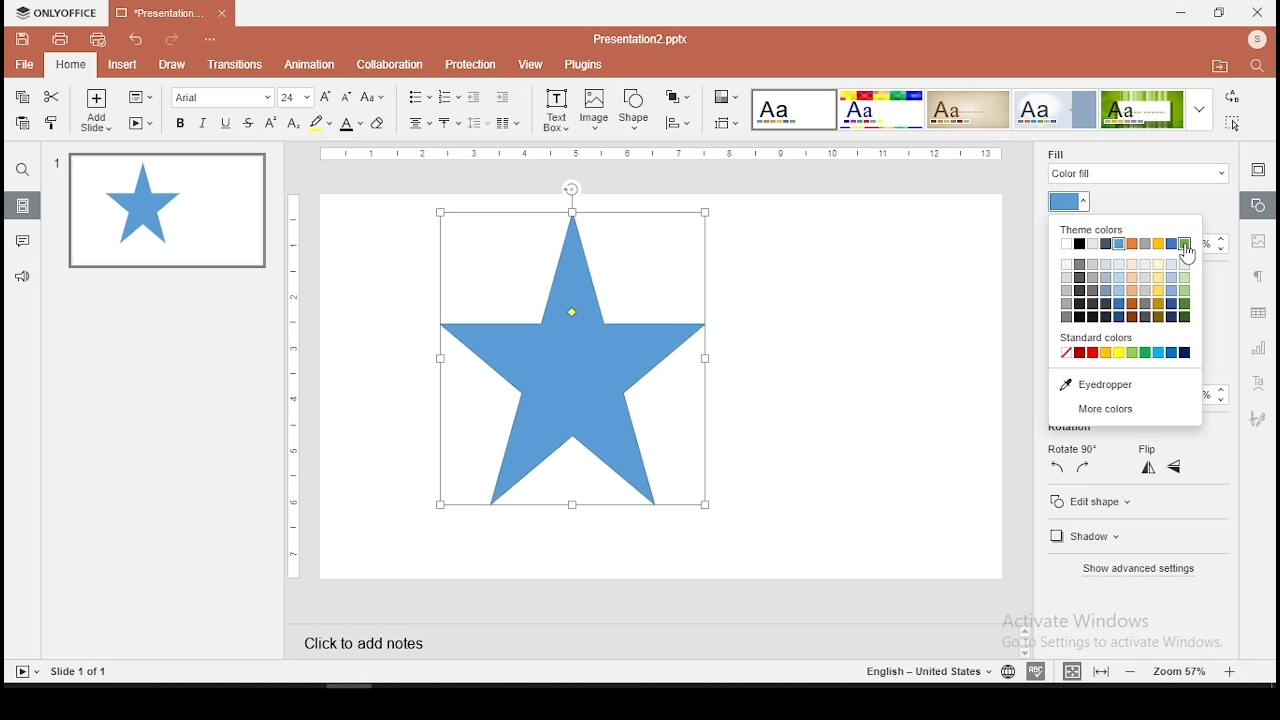  What do you see at coordinates (293, 123) in the screenshot?
I see `subscript` at bounding box center [293, 123].